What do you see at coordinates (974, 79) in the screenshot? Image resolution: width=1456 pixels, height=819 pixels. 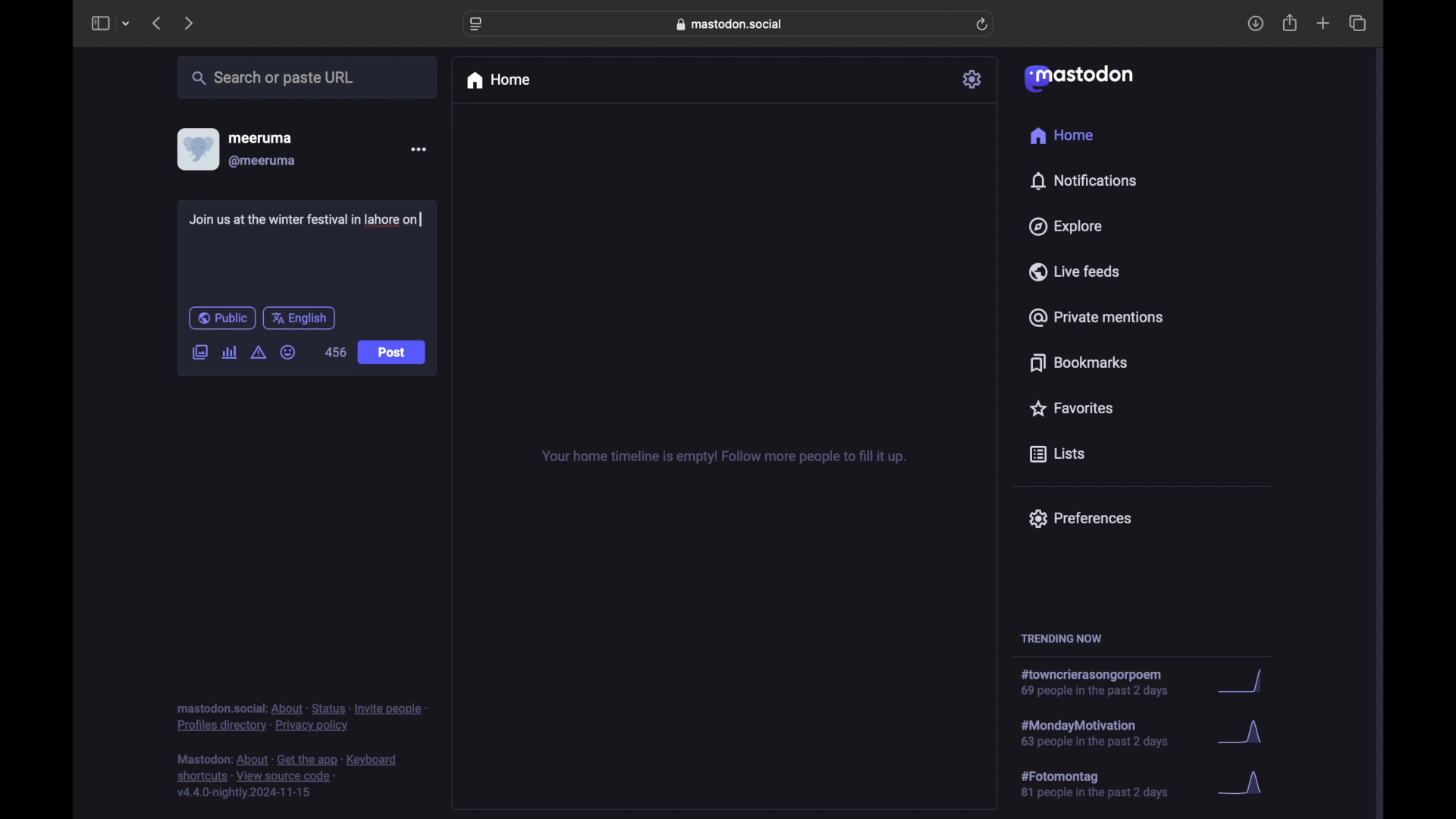 I see `settings` at bounding box center [974, 79].